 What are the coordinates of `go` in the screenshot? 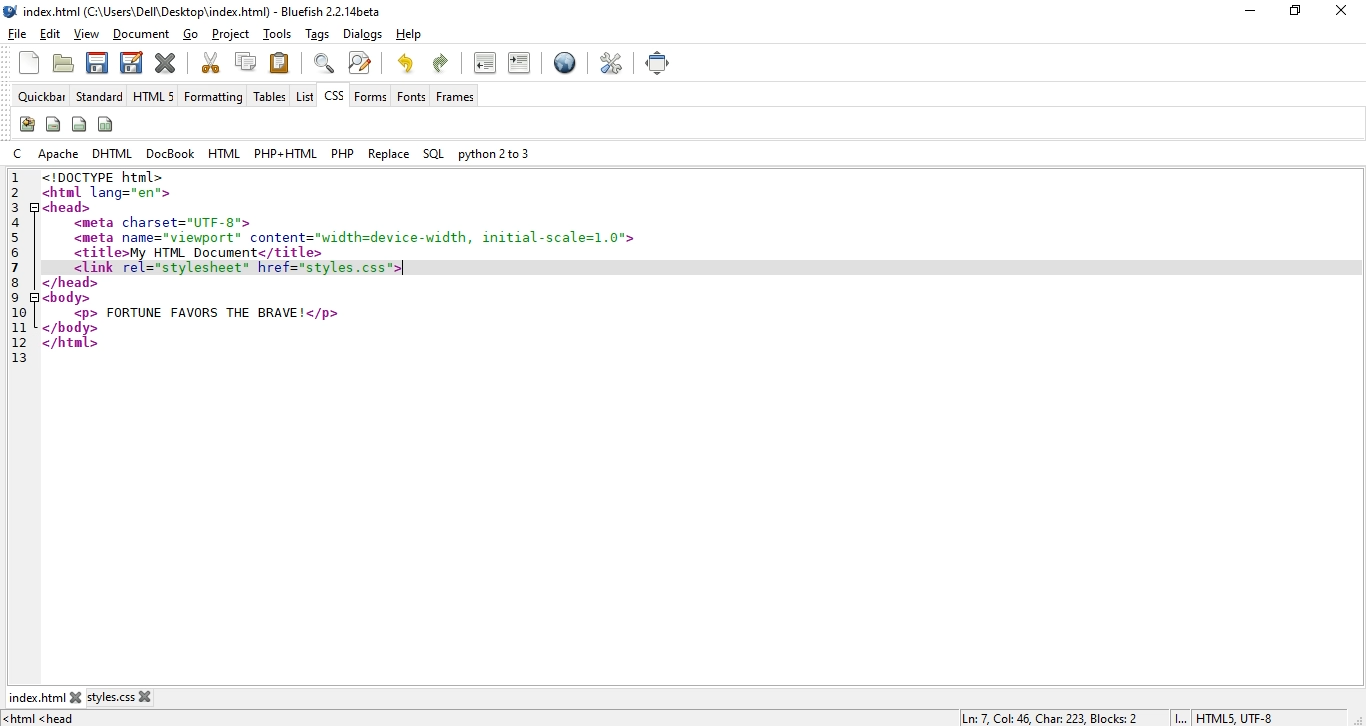 It's located at (191, 35).